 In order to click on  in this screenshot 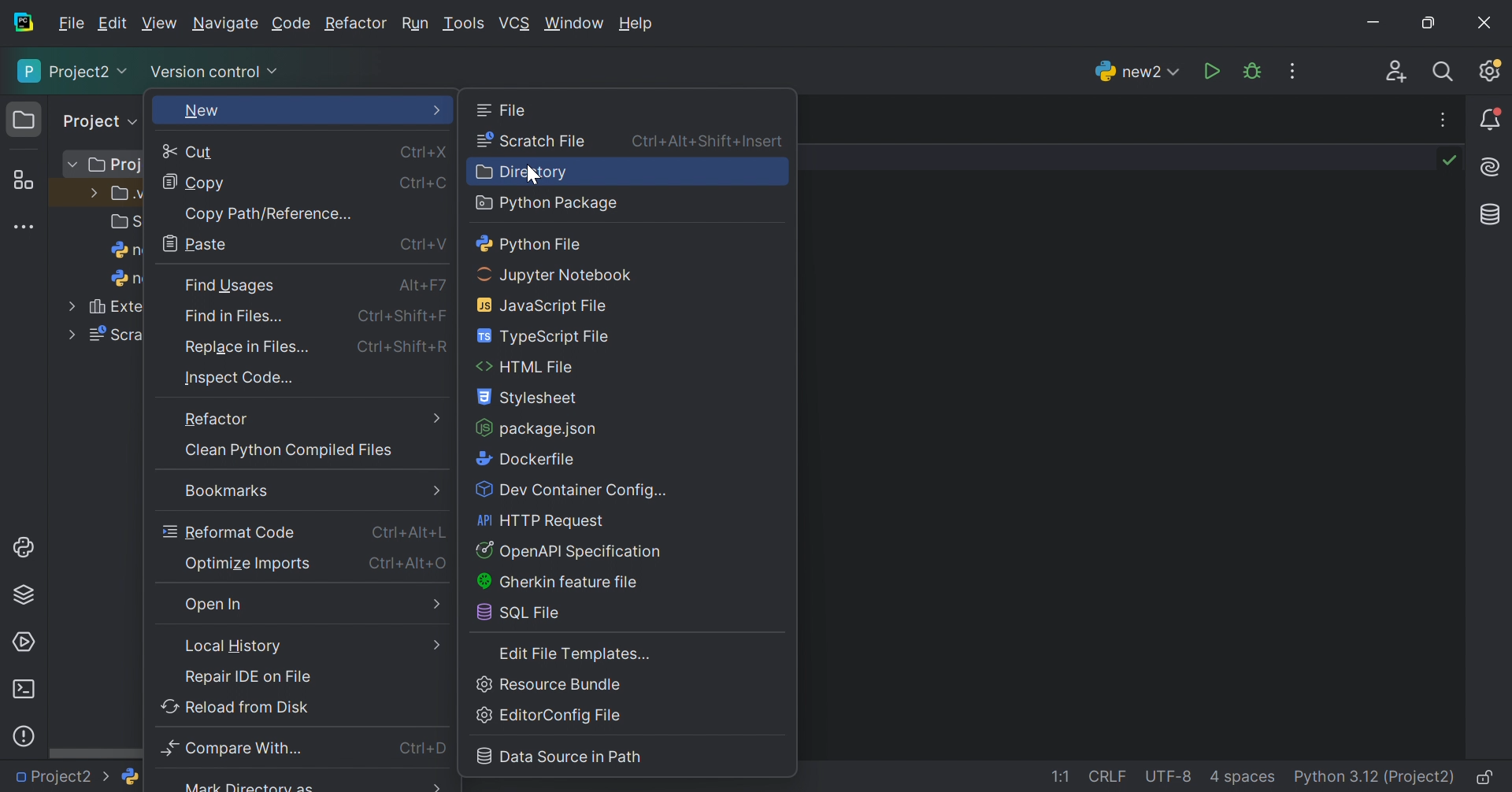, I will do `click(424, 246)`.